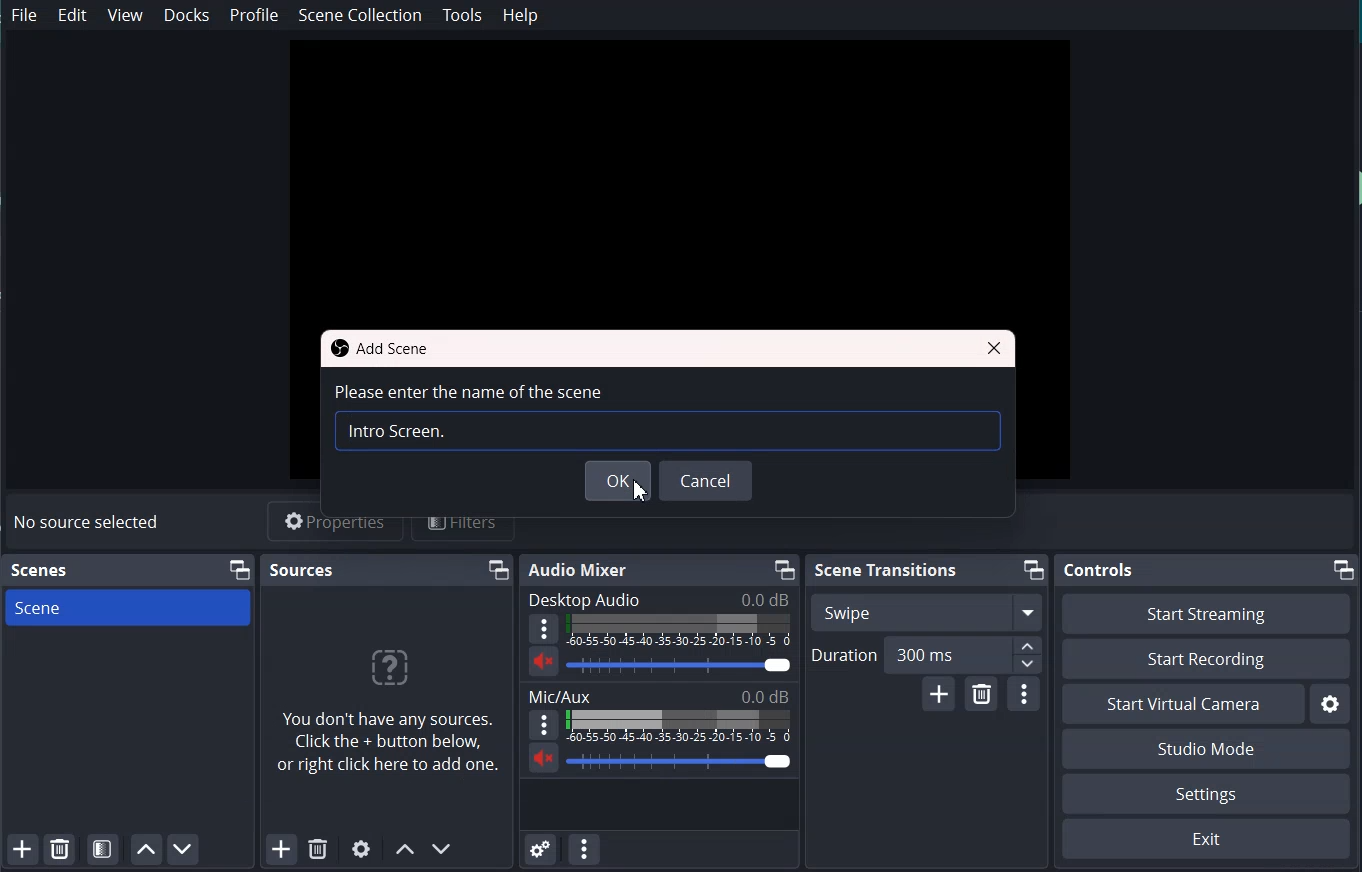 This screenshot has width=1362, height=872. I want to click on Tools, so click(463, 16).